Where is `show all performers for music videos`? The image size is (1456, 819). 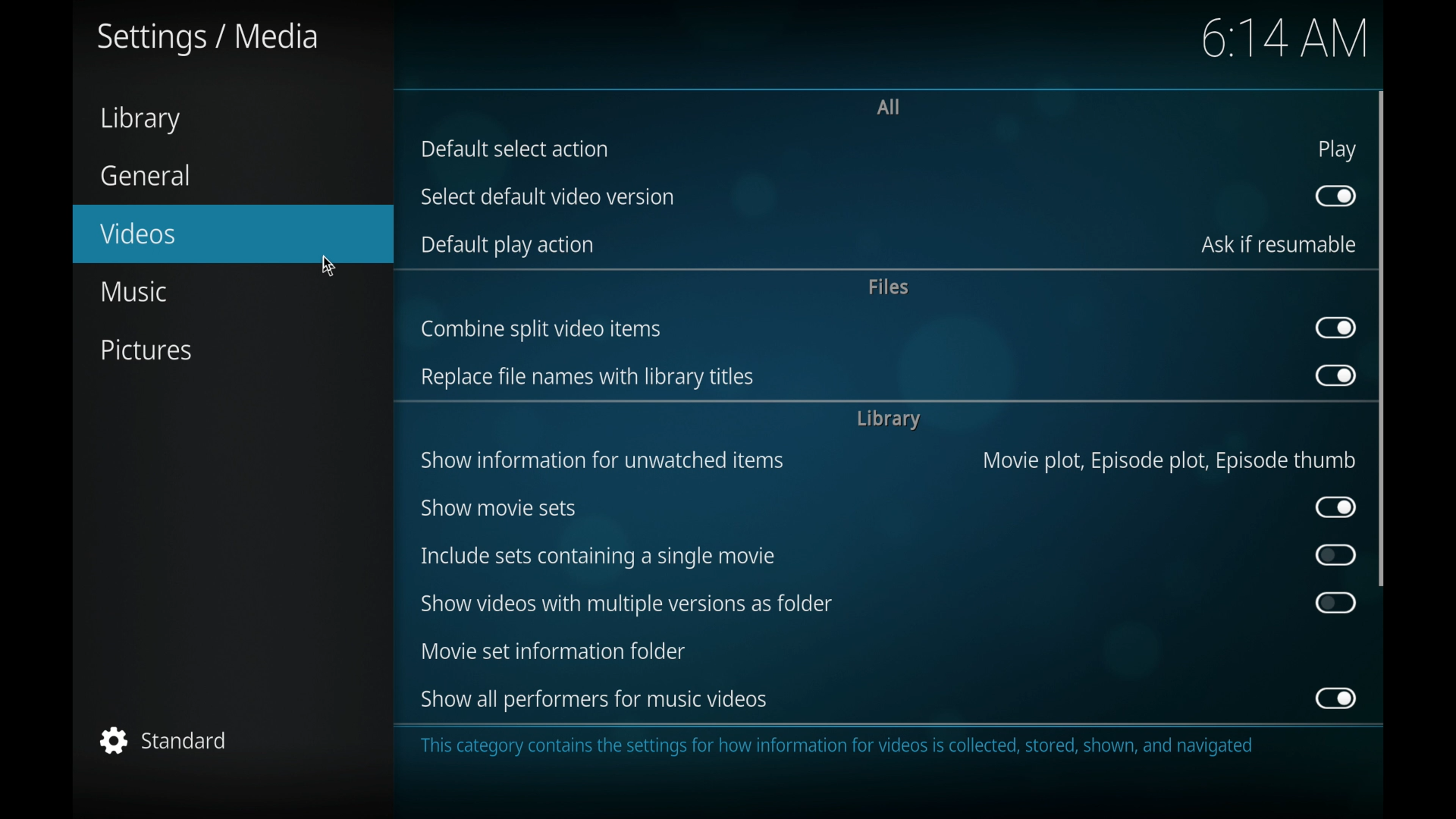
show all performers for music videos is located at coordinates (596, 701).